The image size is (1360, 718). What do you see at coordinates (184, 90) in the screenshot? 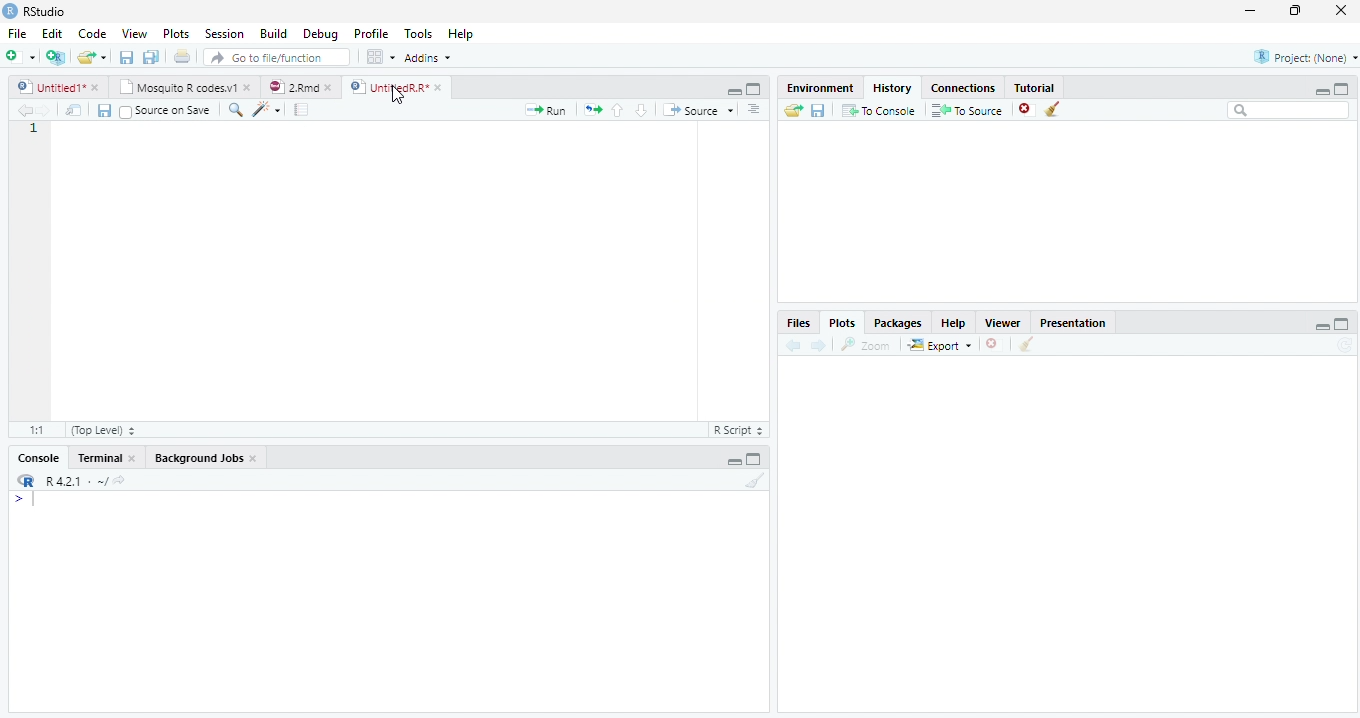
I see `Mosquito R codes1` at bounding box center [184, 90].